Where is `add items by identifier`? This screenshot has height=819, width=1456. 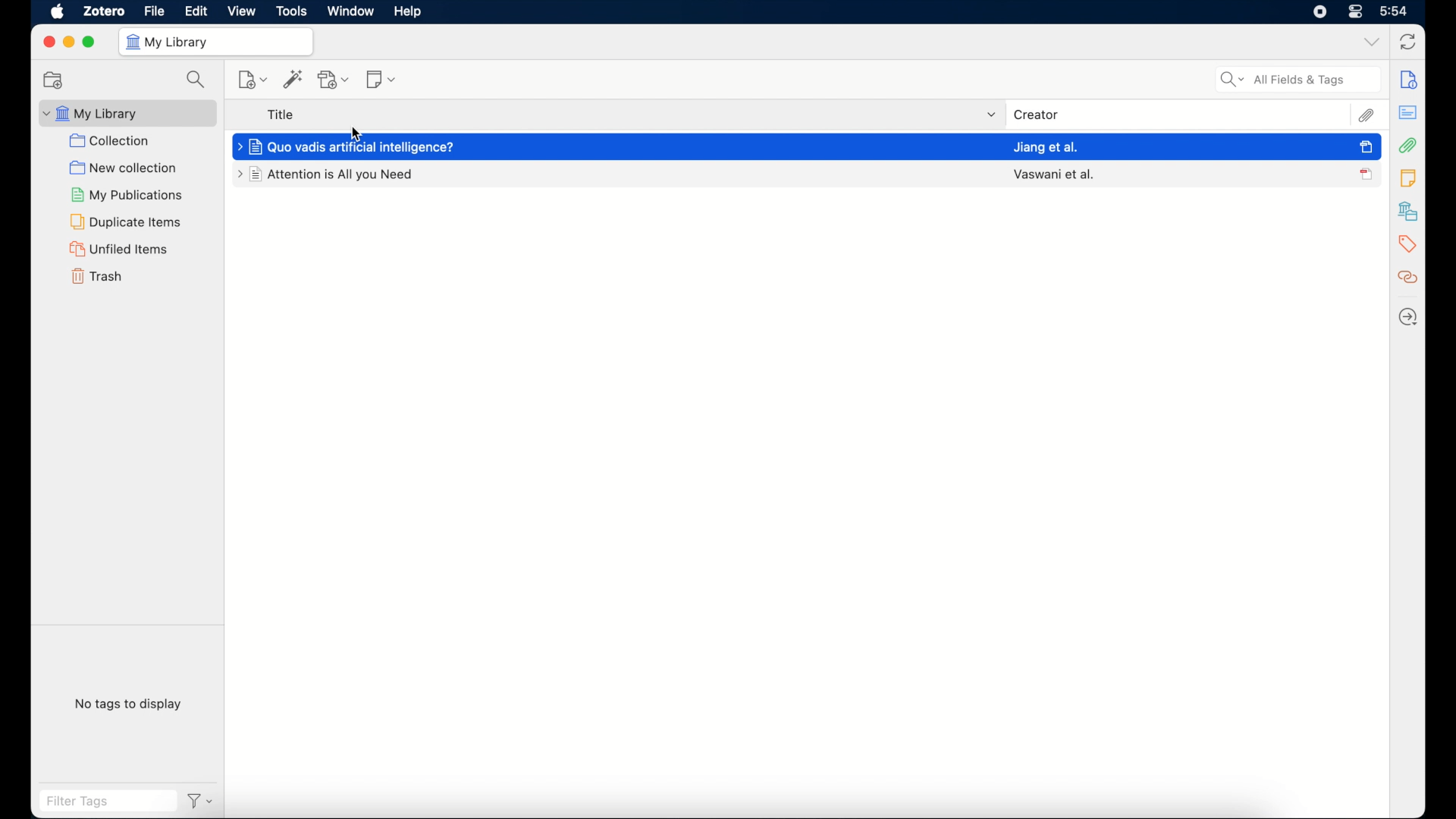 add items by identifier is located at coordinates (293, 79).